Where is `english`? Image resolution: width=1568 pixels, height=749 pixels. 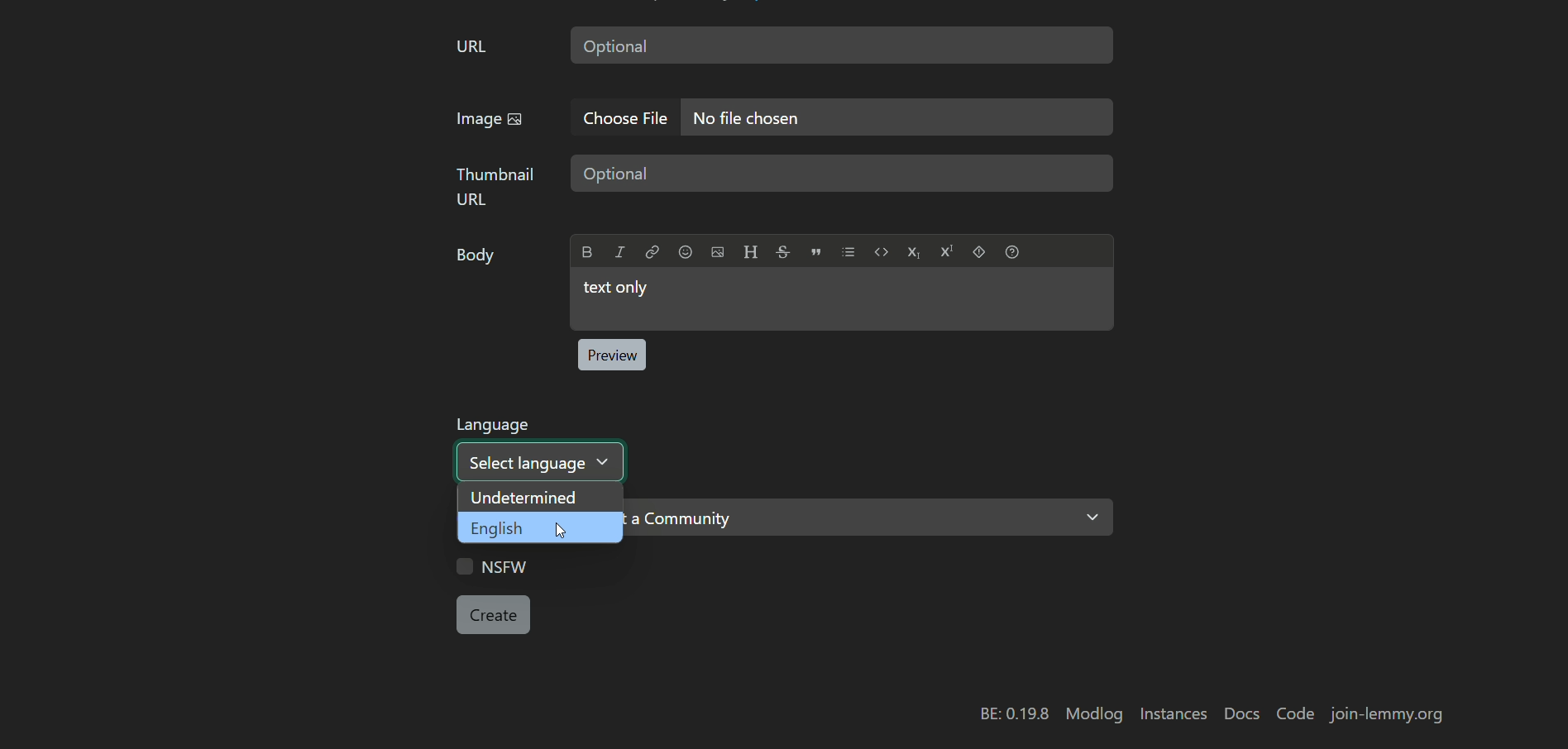 english is located at coordinates (541, 527).